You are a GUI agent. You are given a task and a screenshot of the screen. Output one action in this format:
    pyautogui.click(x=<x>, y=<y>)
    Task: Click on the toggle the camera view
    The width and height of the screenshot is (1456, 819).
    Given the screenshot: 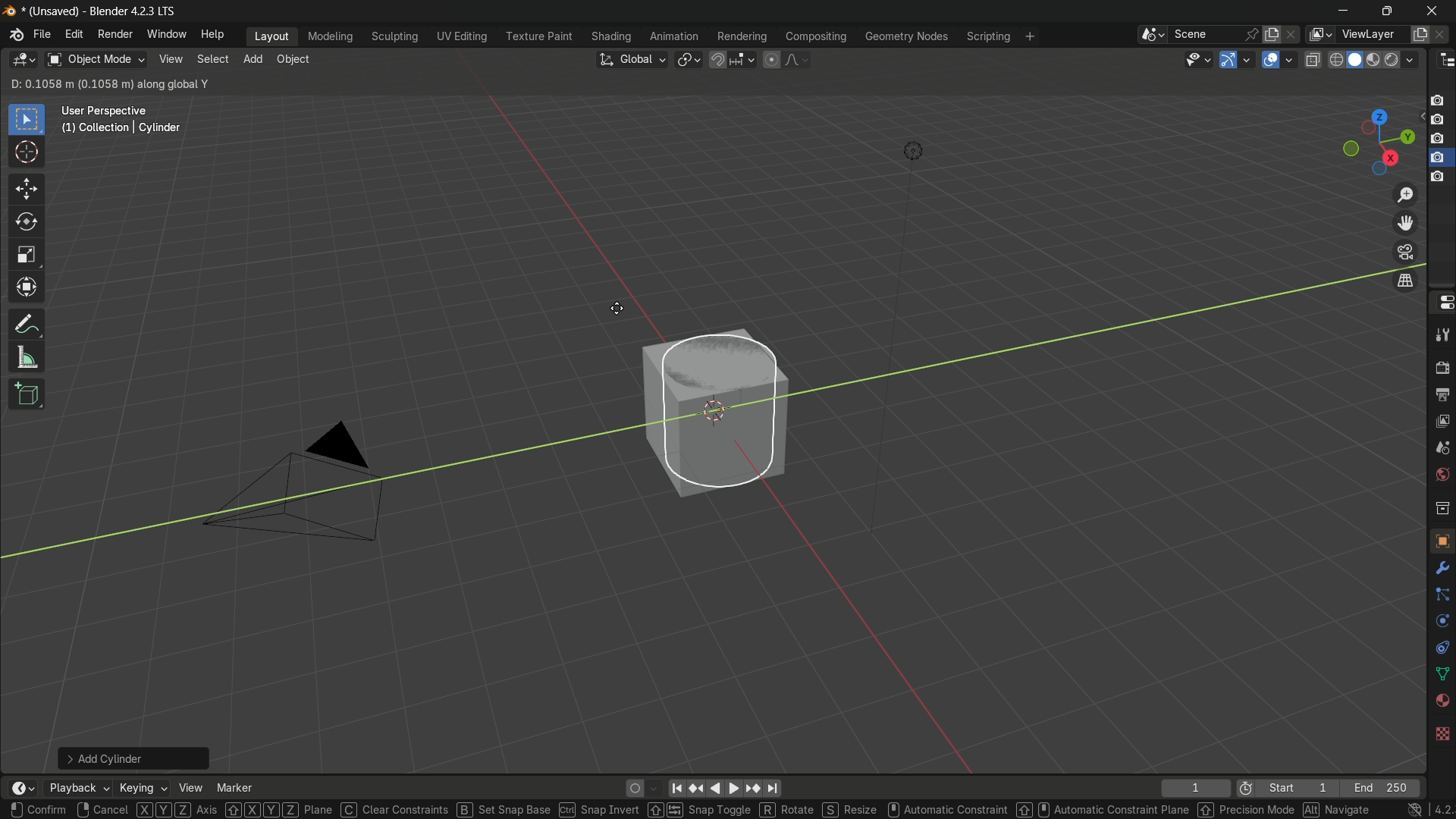 What is the action you would take?
    pyautogui.click(x=1405, y=252)
    